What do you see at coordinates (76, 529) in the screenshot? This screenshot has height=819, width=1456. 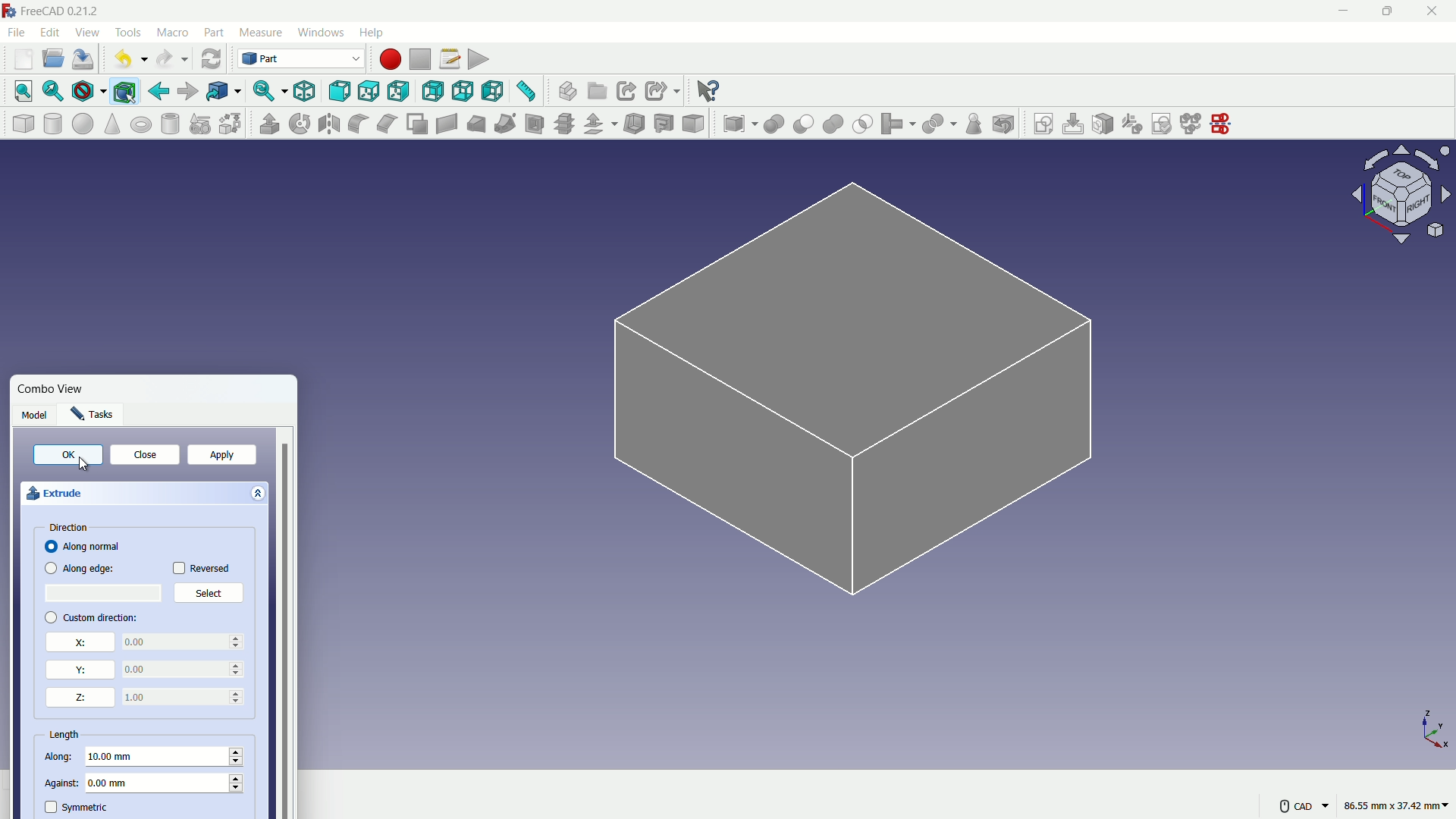 I see `direction properties` at bounding box center [76, 529].